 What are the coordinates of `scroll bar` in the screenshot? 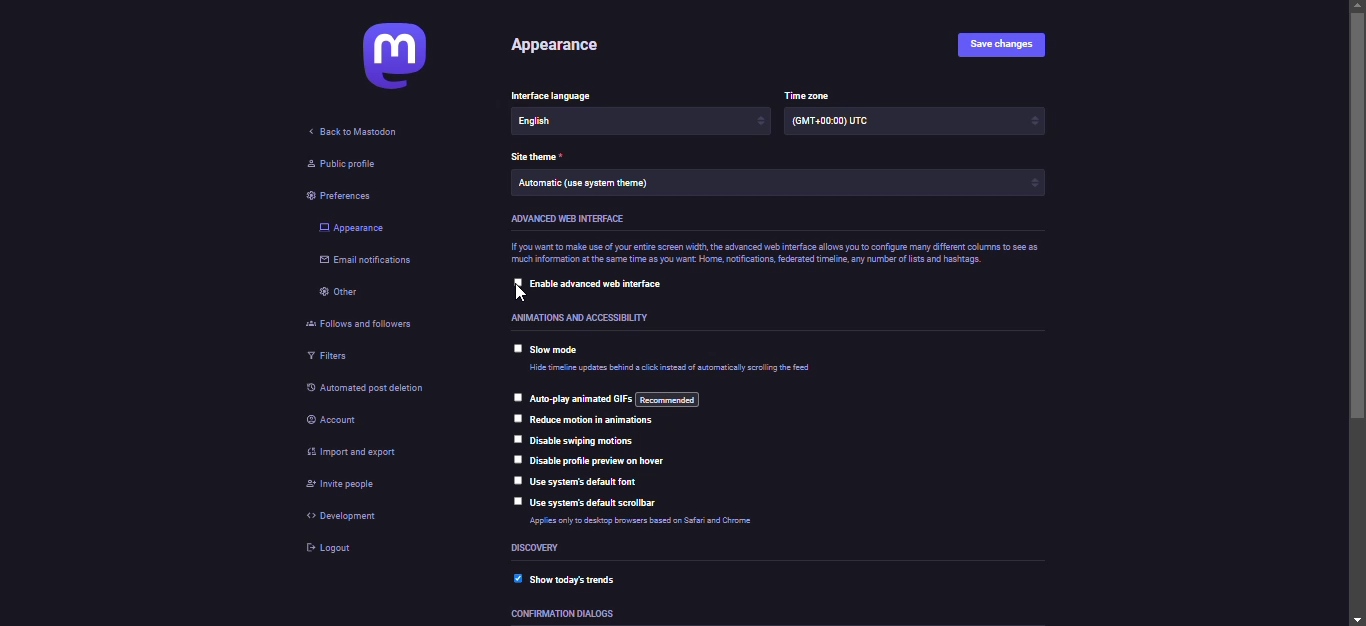 It's located at (1355, 214).